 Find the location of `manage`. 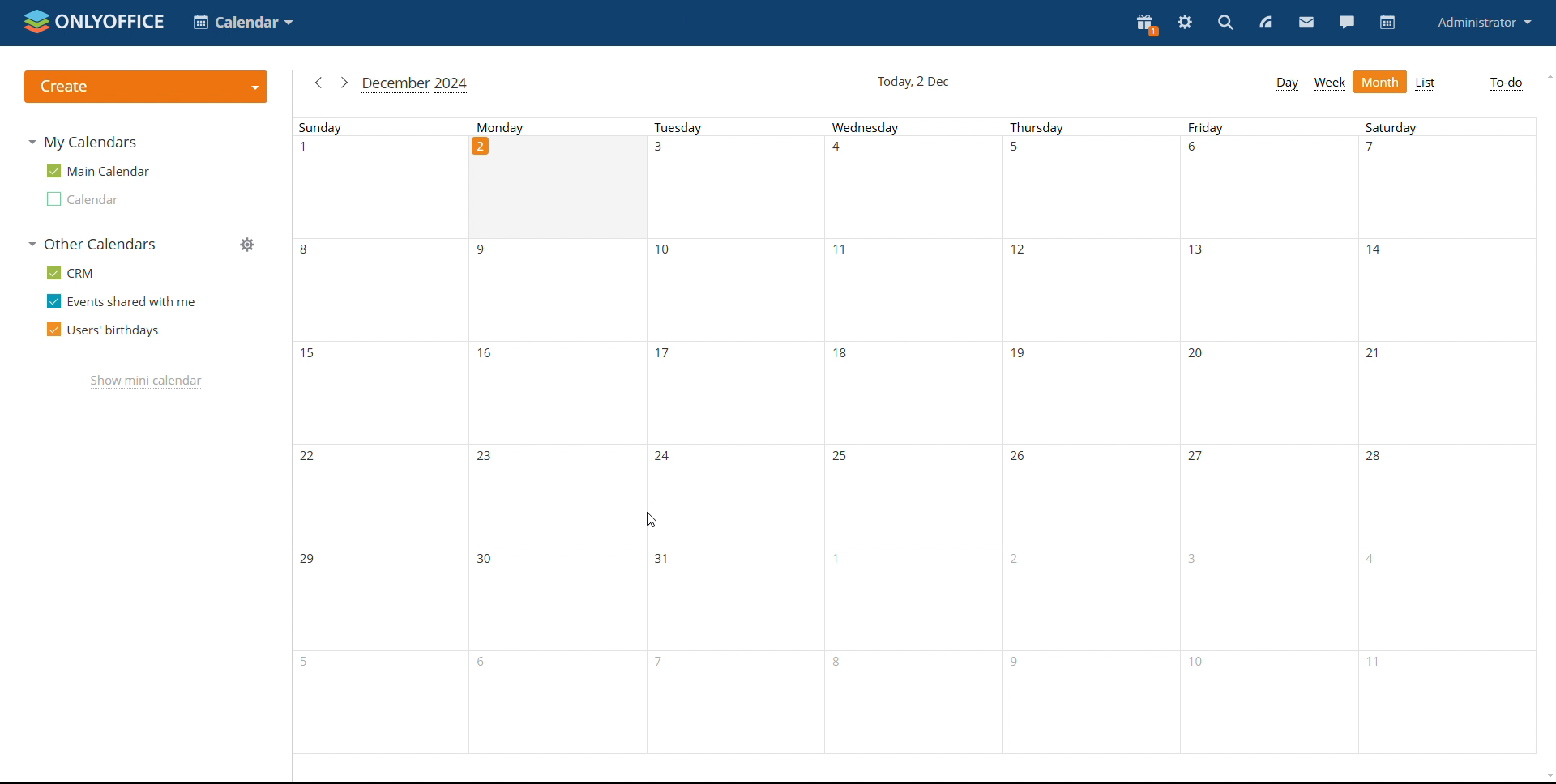

manage is located at coordinates (251, 245).